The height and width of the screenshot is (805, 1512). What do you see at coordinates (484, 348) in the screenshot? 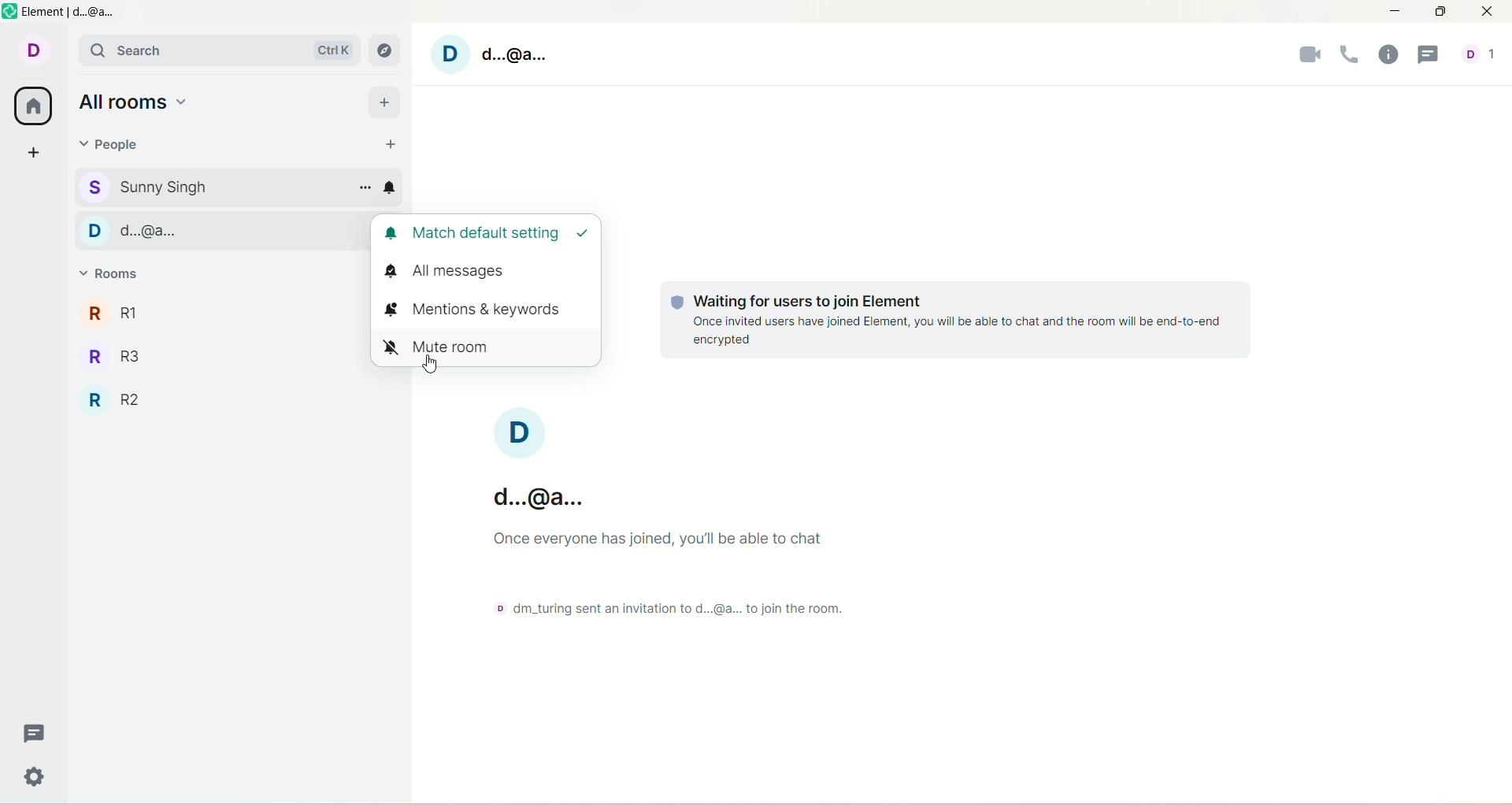
I see `mute room` at bounding box center [484, 348].